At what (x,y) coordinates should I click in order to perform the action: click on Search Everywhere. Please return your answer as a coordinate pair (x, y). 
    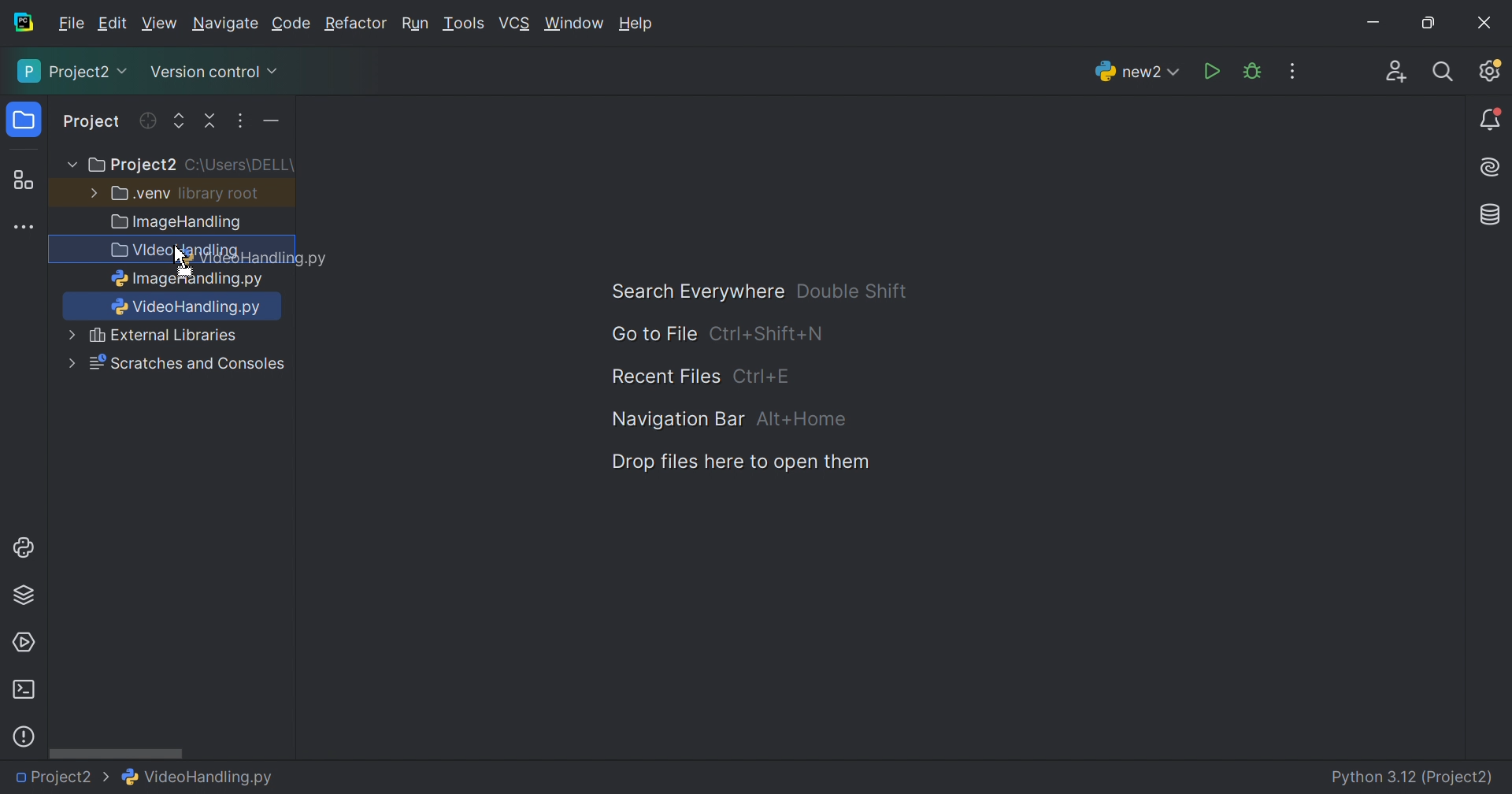
    Looking at the image, I should click on (690, 292).